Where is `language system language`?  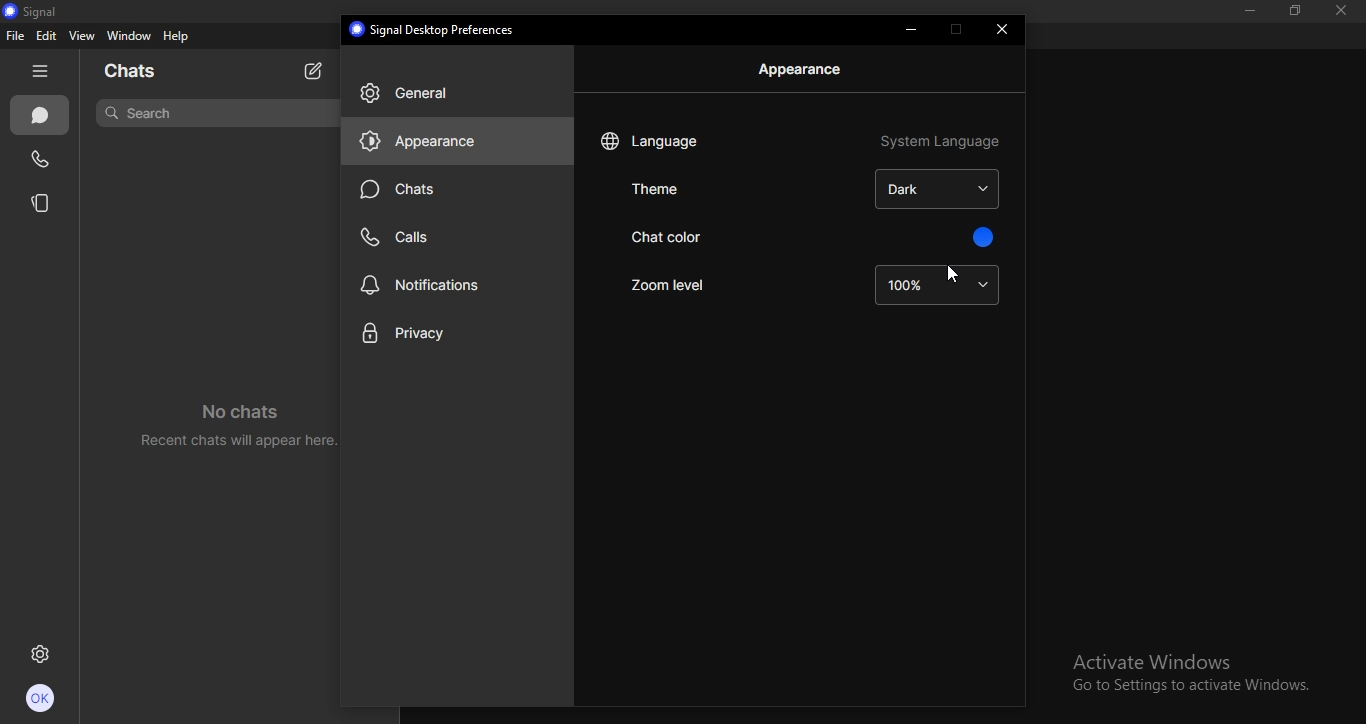 language system language is located at coordinates (802, 140).